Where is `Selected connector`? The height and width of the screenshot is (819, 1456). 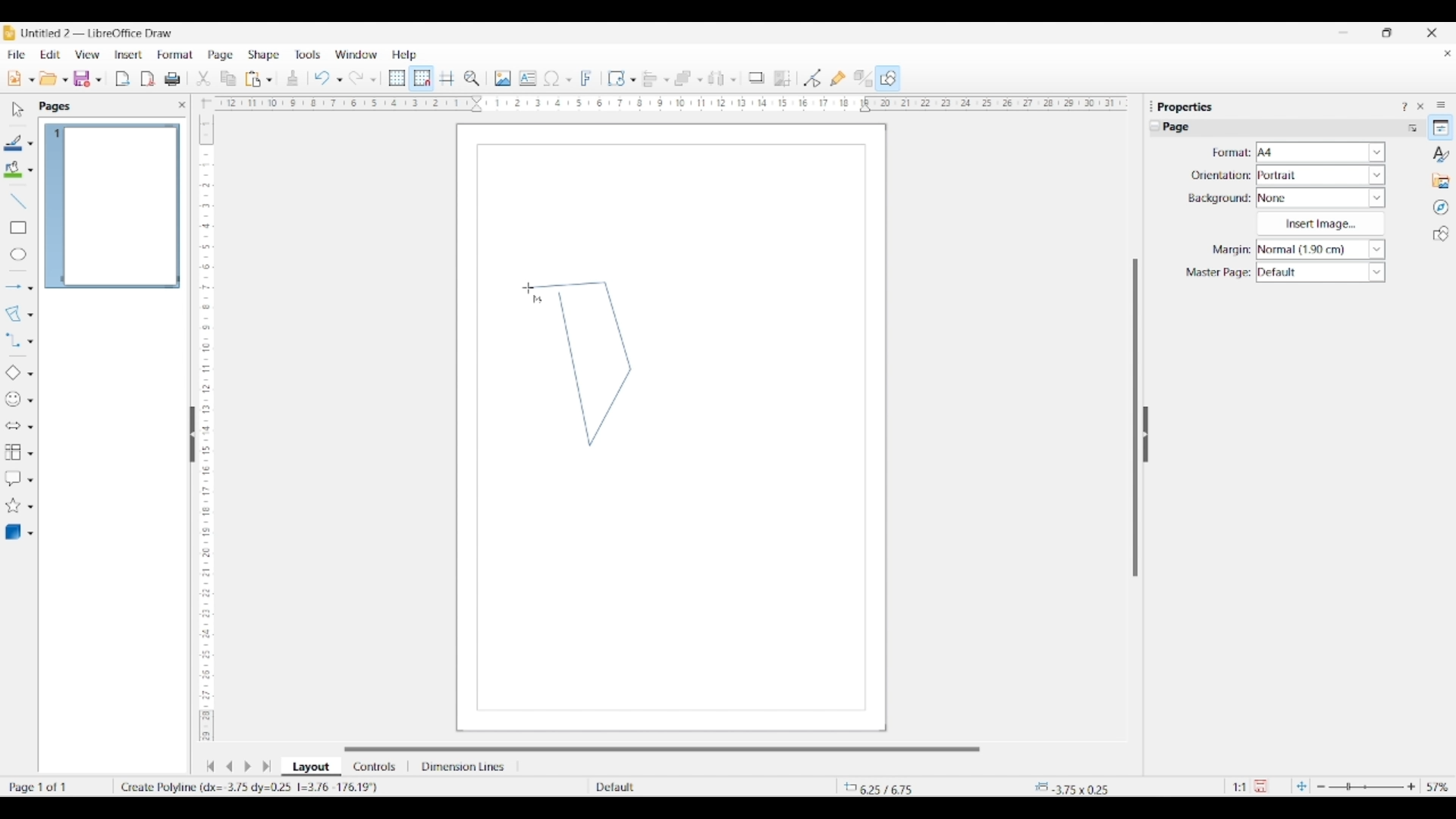
Selected connector is located at coordinates (12, 339).